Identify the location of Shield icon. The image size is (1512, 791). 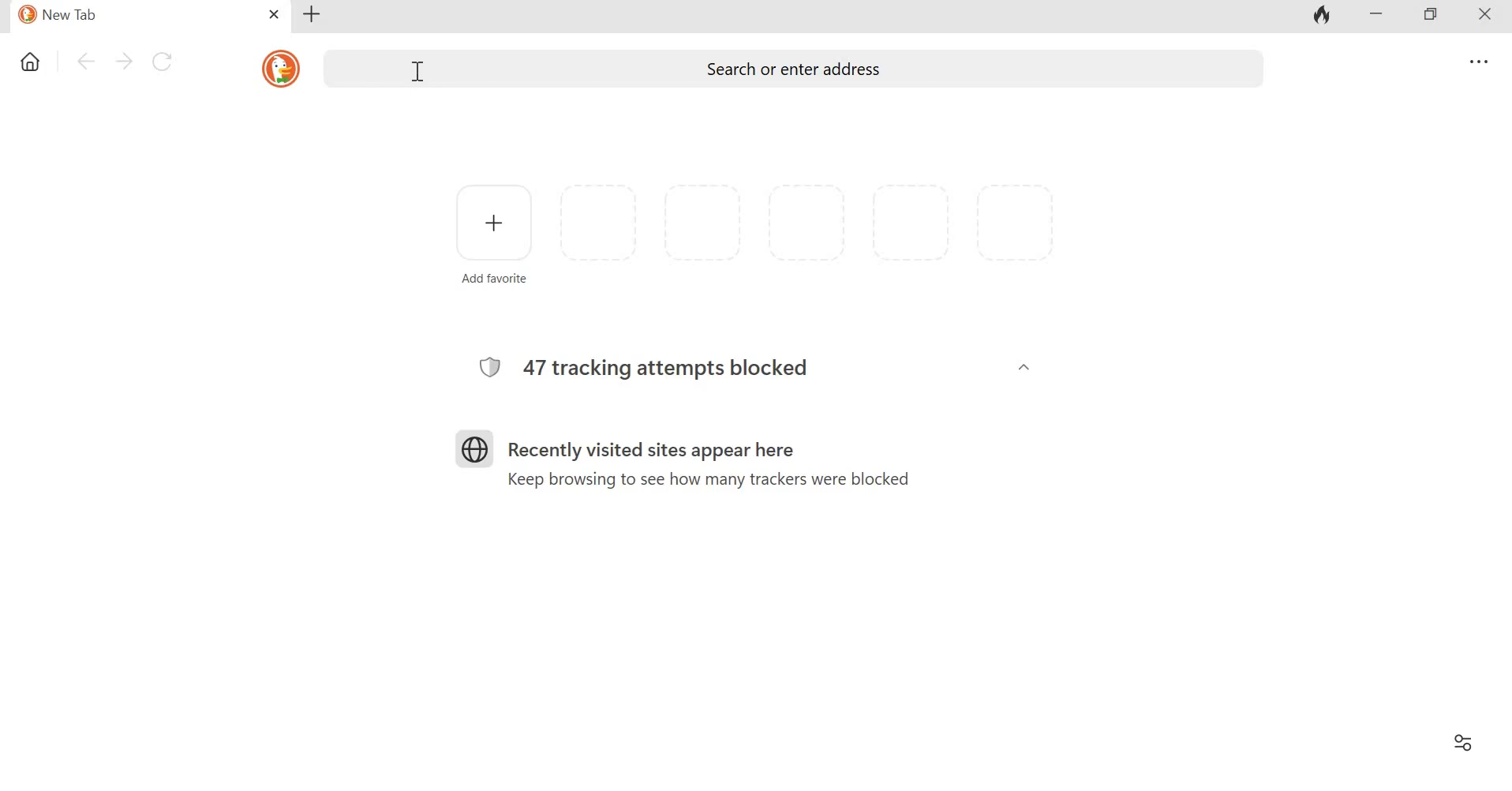
(490, 369).